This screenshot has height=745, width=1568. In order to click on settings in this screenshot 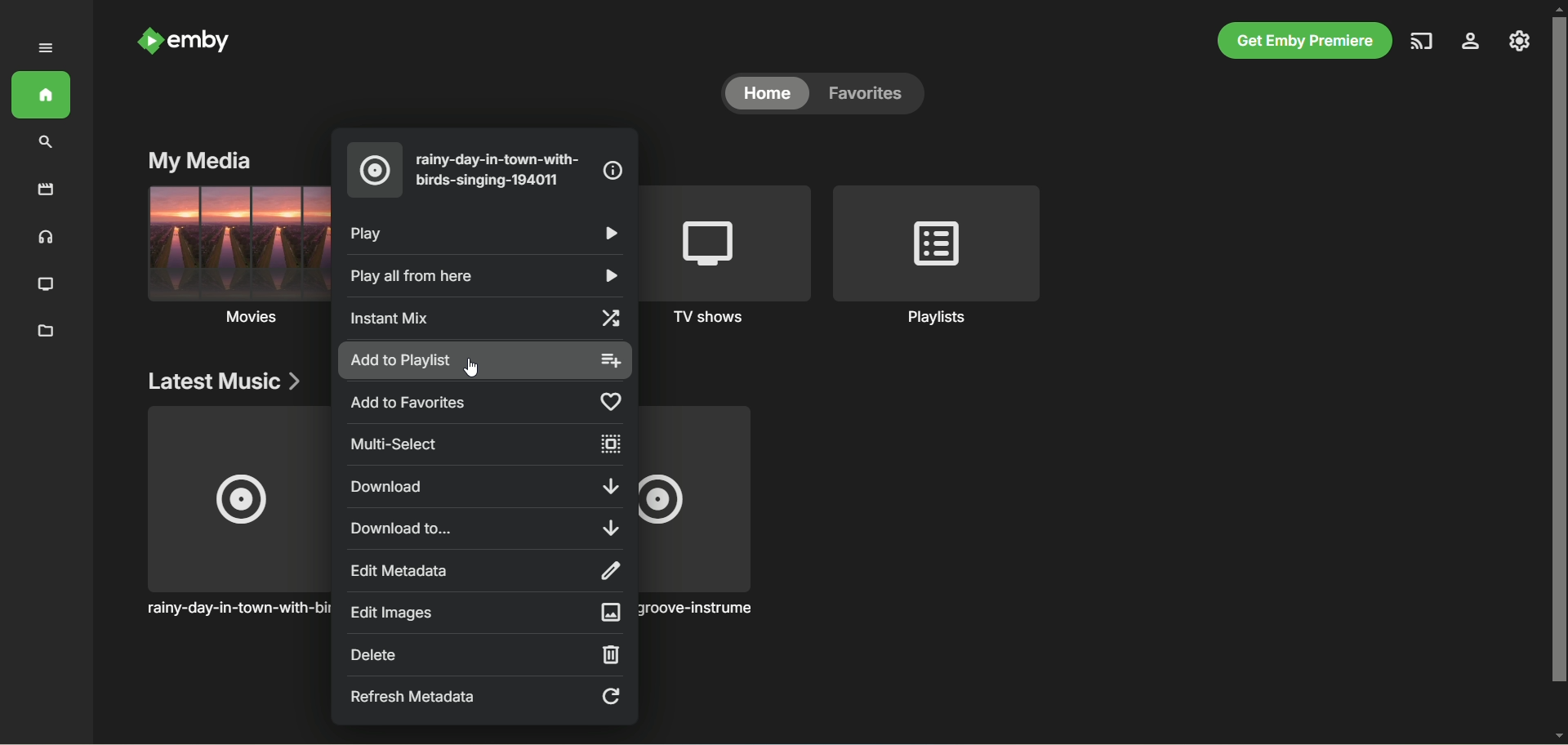, I will do `click(1471, 42)`.